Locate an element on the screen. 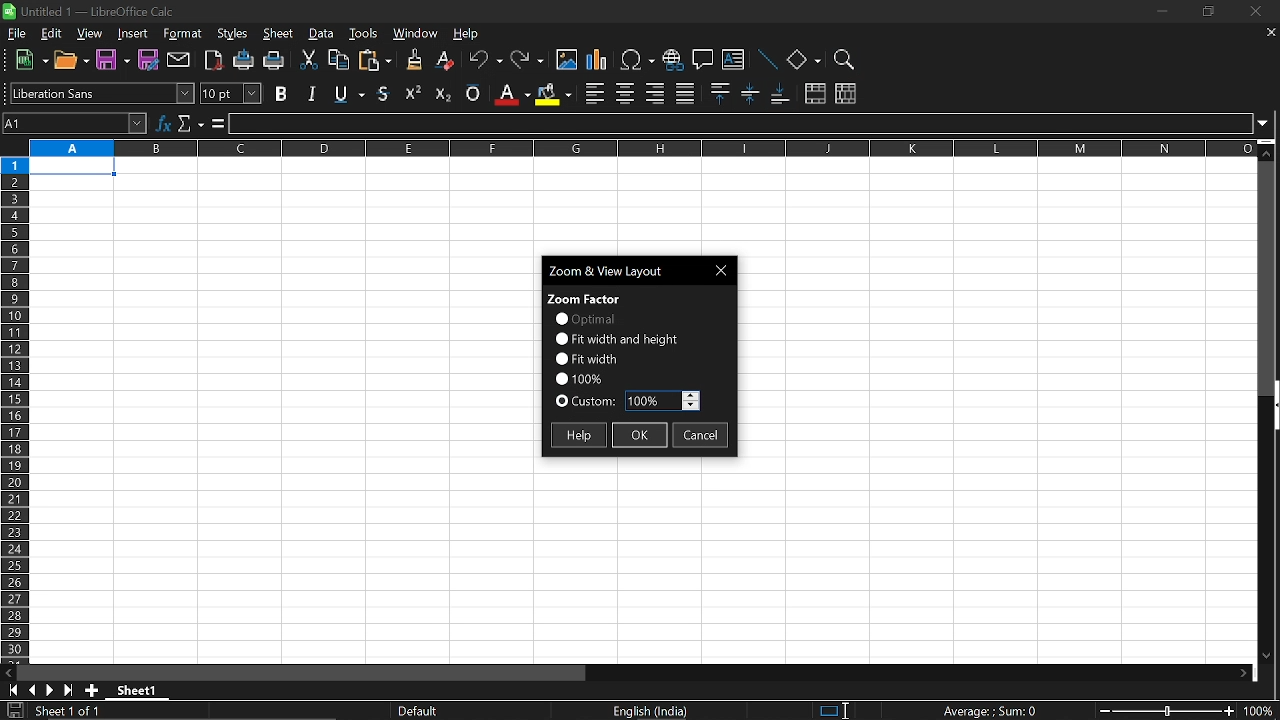 Image resolution: width=1280 pixels, height=720 pixels. insert image is located at coordinates (567, 60).